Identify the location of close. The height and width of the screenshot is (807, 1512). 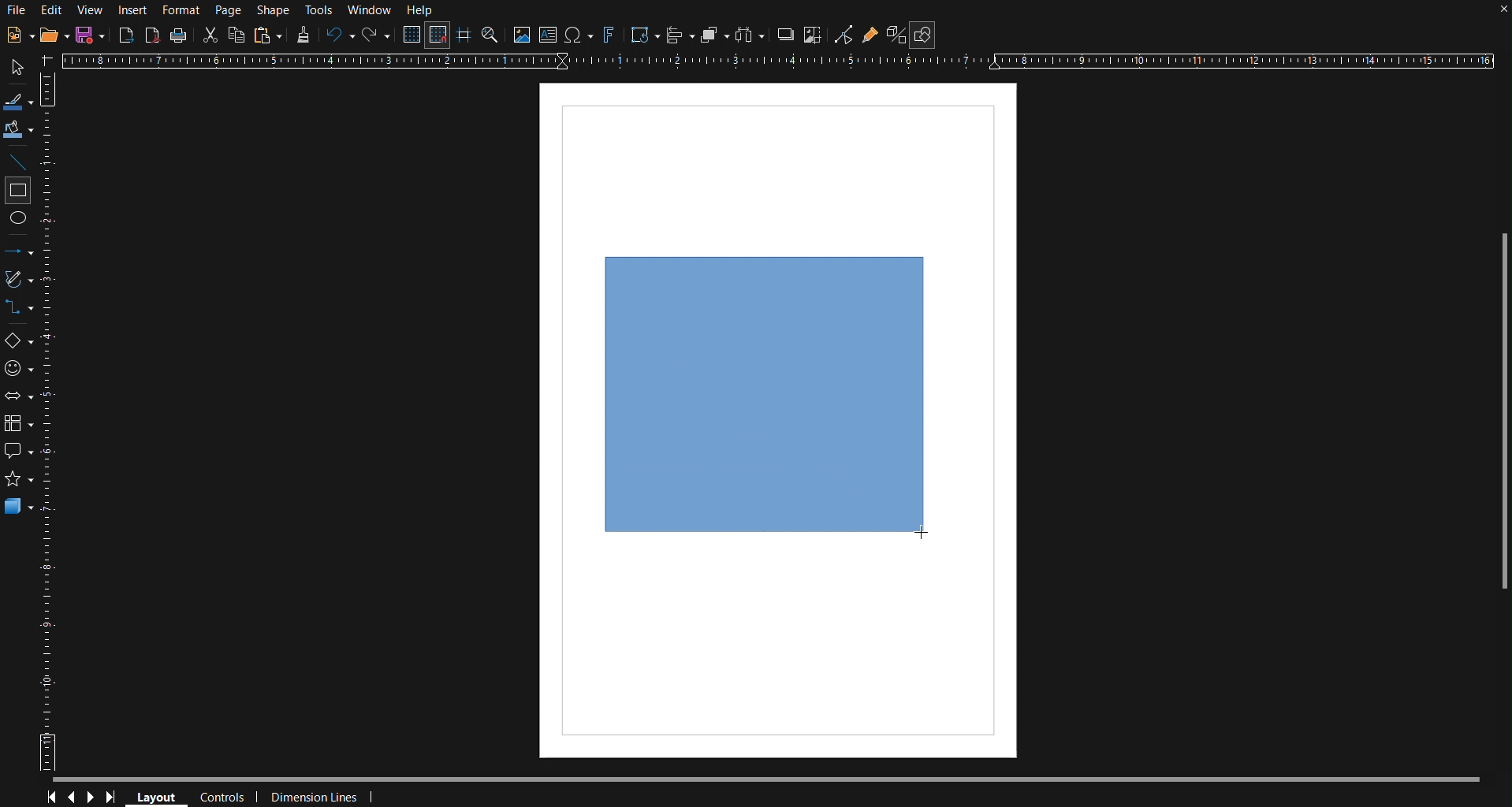
(1501, 13).